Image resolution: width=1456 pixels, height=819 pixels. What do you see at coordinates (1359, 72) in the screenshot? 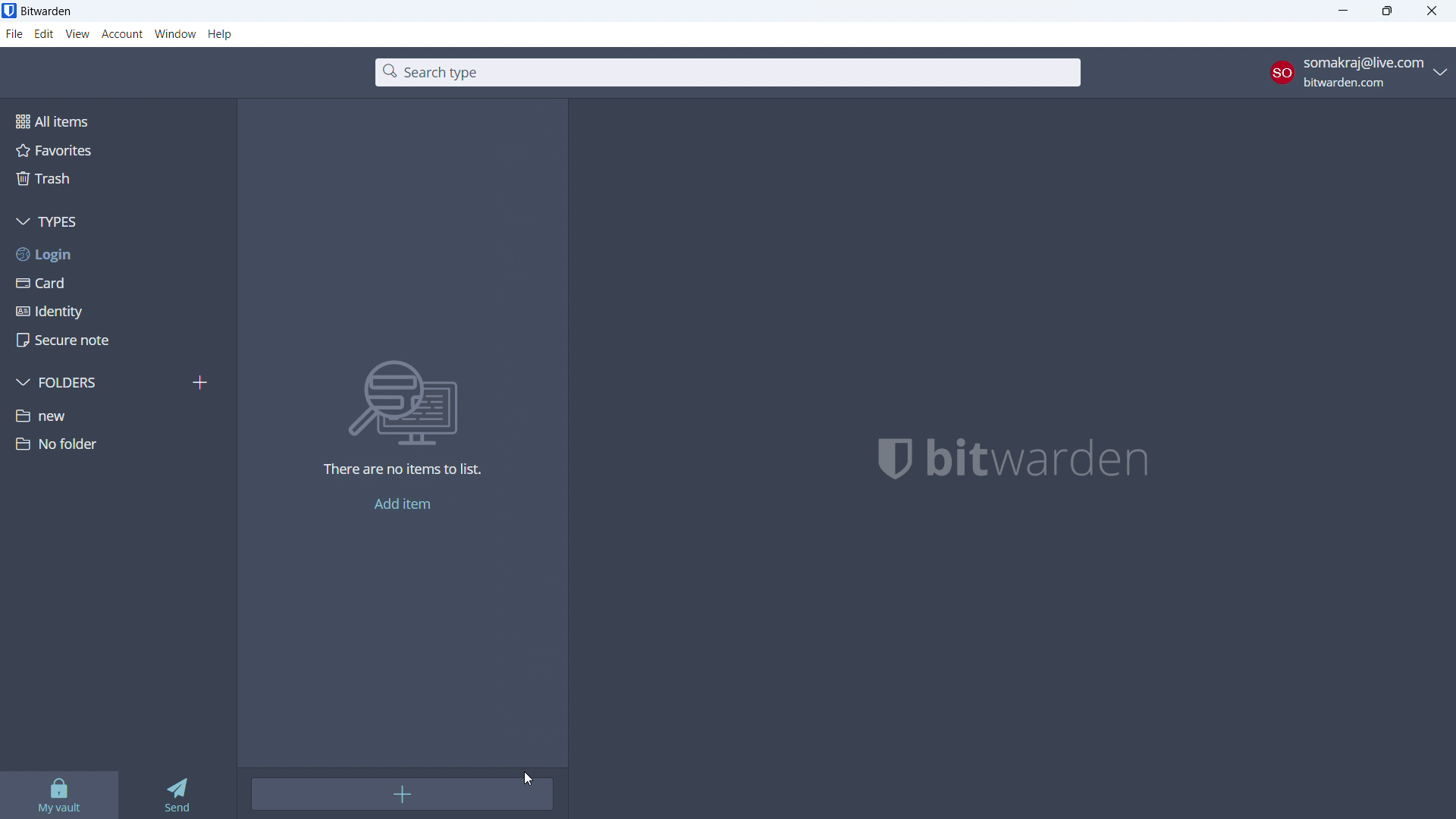
I see `account` at bounding box center [1359, 72].